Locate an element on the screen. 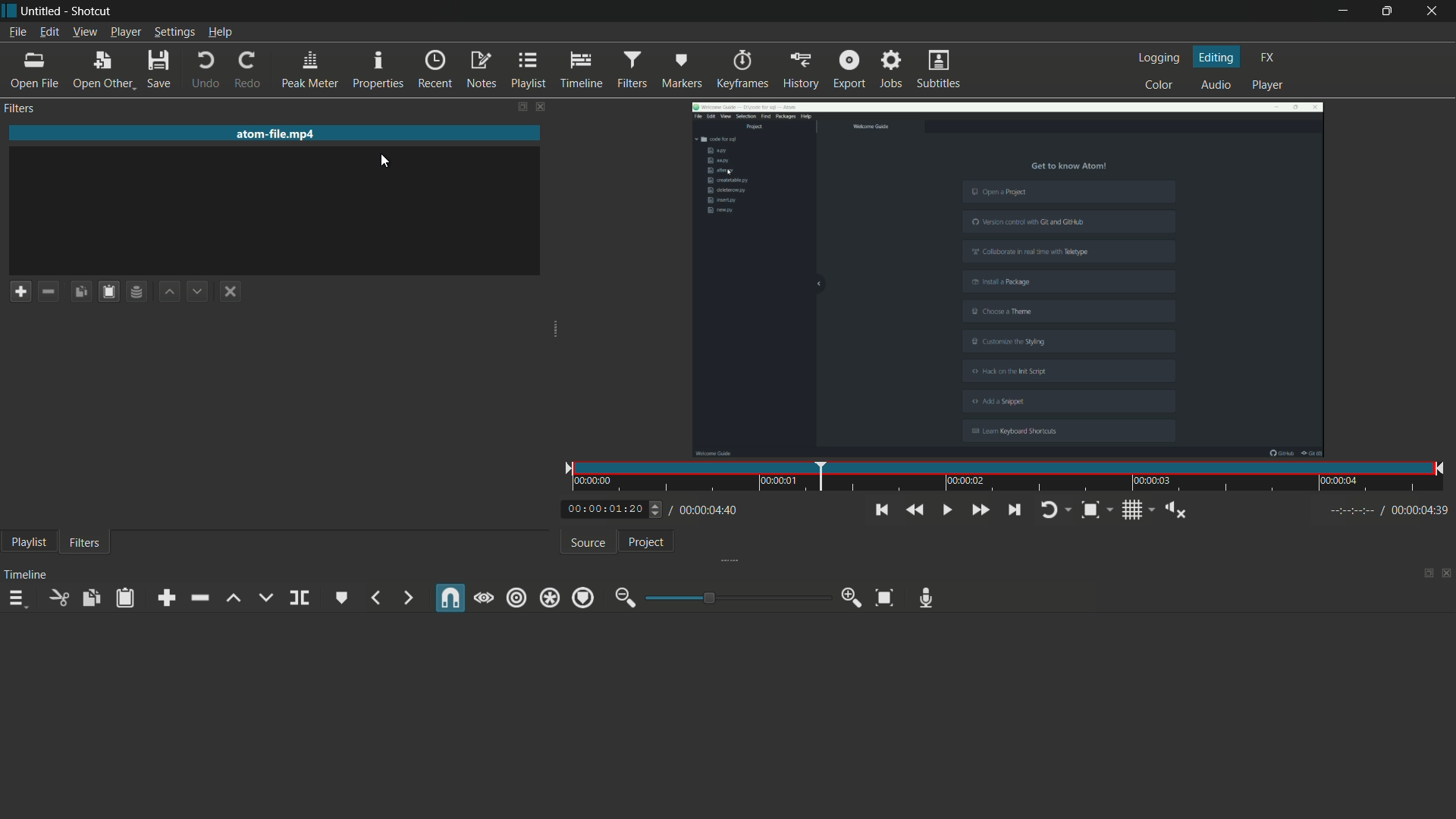 Image resolution: width=1456 pixels, height=819 pixels. remove a filter is located at coordinates (49, 290).